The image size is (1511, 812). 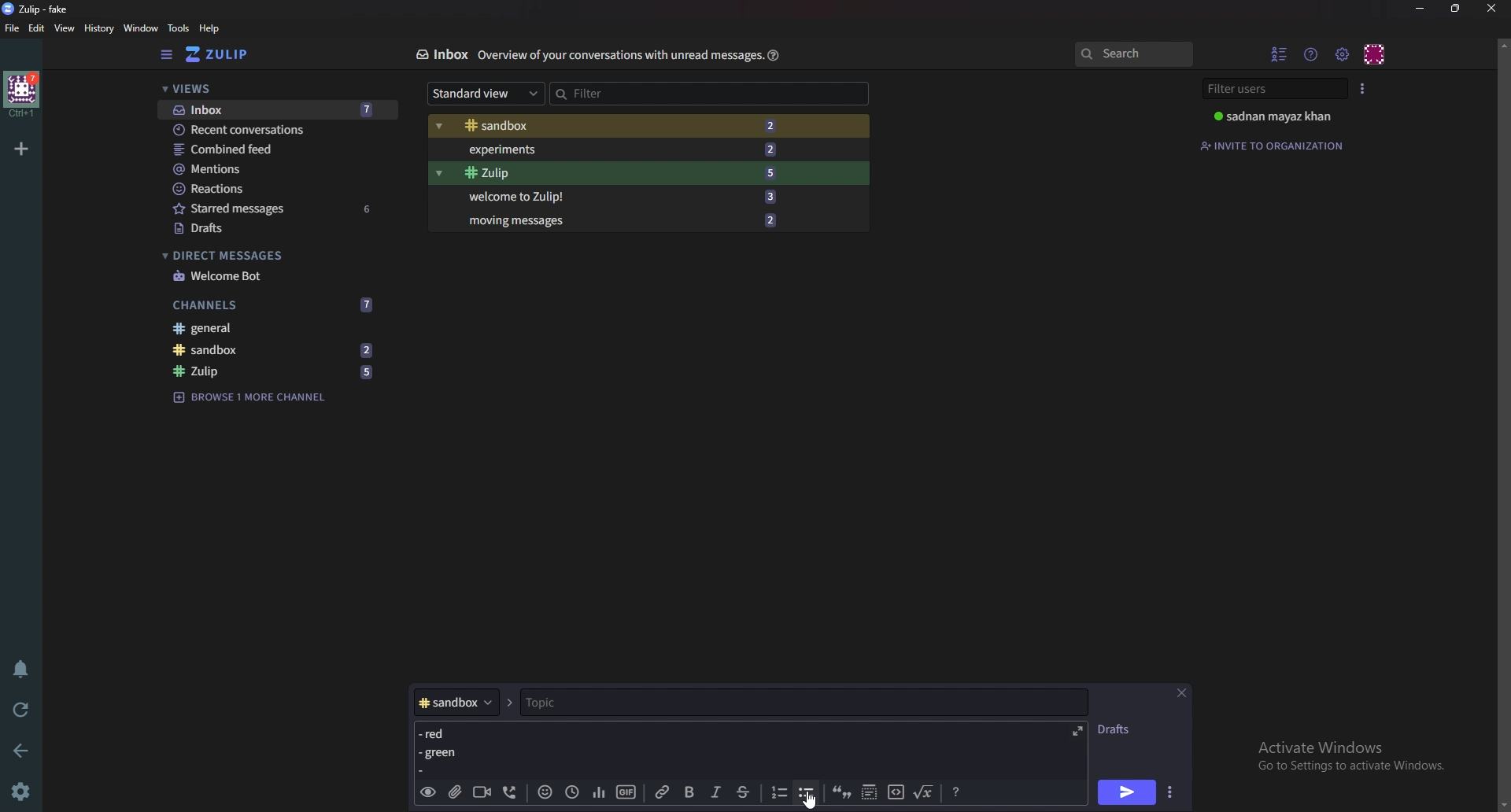 I want to click on Hide user list, so click(x=1280, y=54).